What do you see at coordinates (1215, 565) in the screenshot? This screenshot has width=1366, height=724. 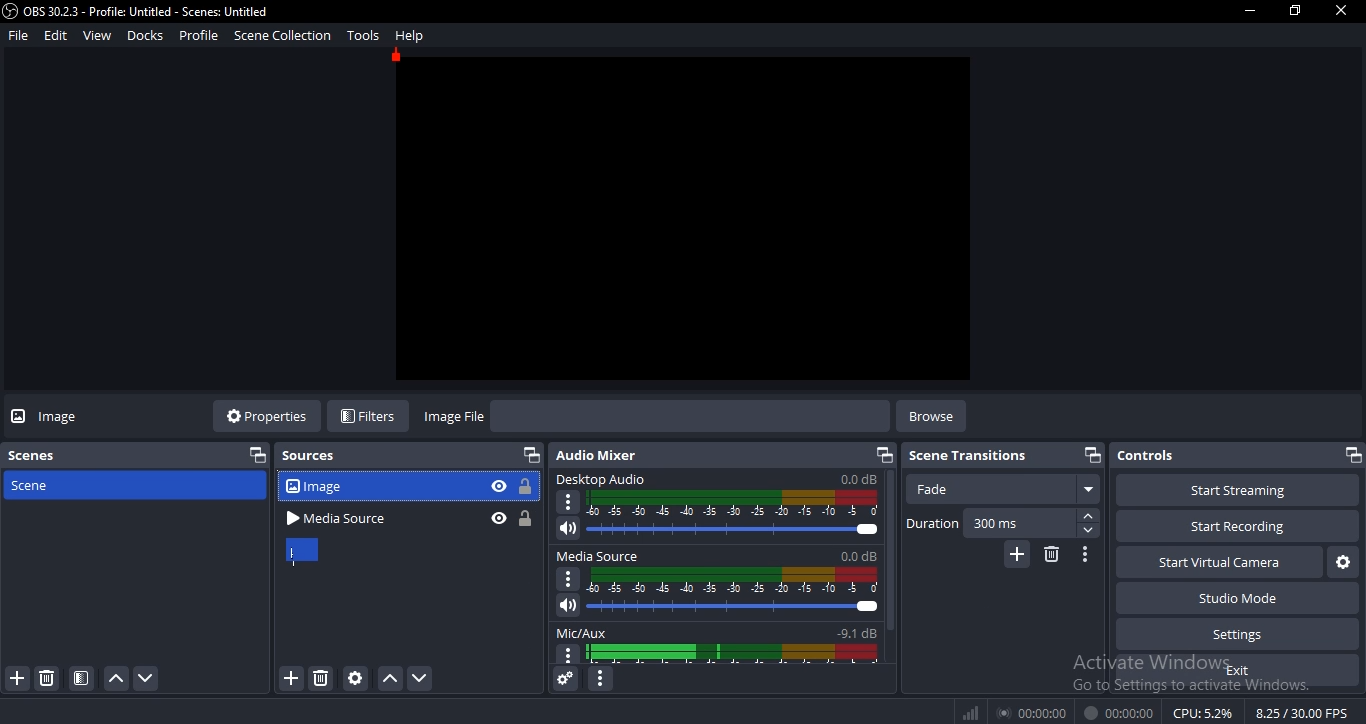 I see `start virtual camera` at bounding box center [1215, 565].